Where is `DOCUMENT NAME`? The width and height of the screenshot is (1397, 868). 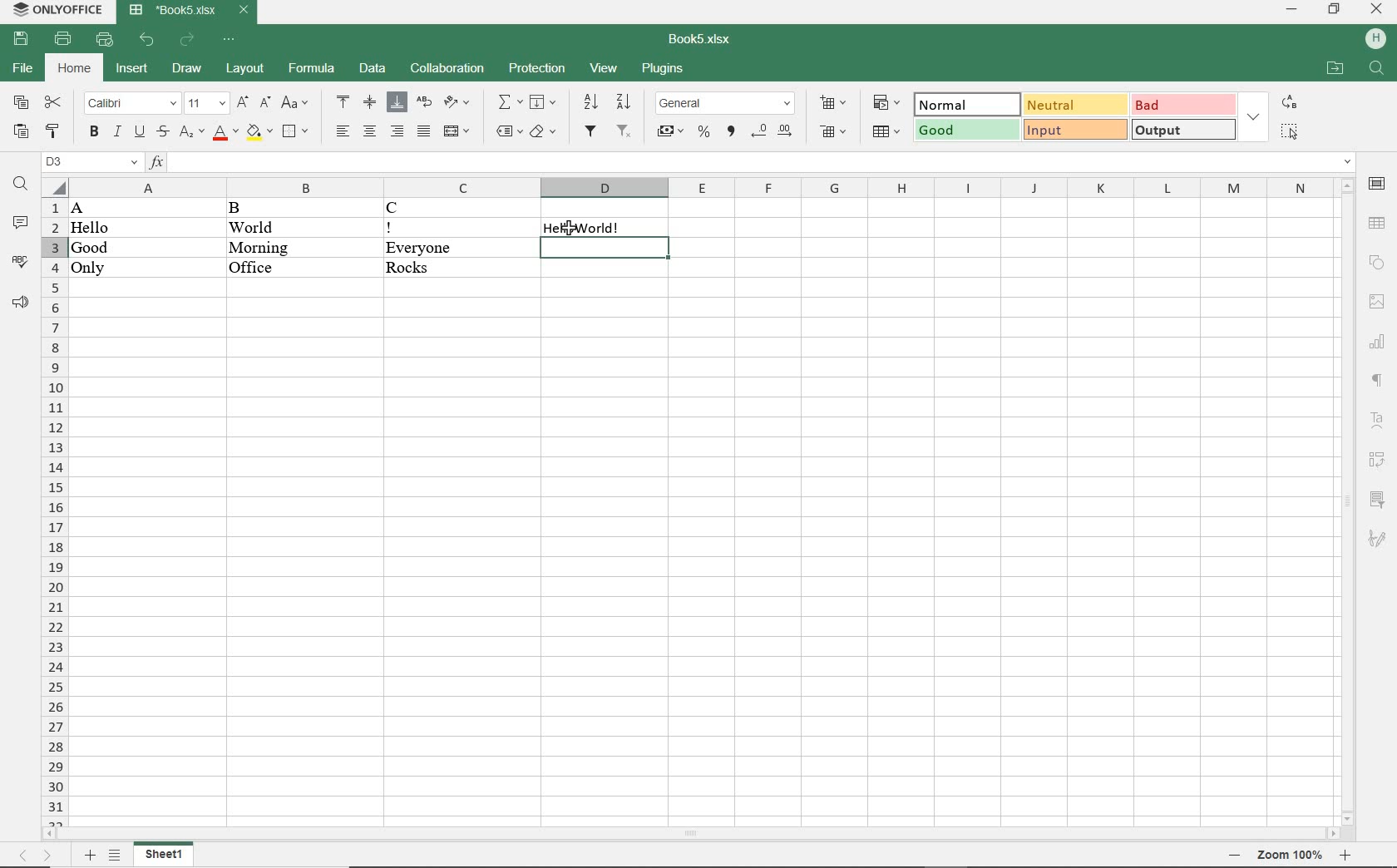
DOCUMENT NAME is located at coordinates (191, 12).